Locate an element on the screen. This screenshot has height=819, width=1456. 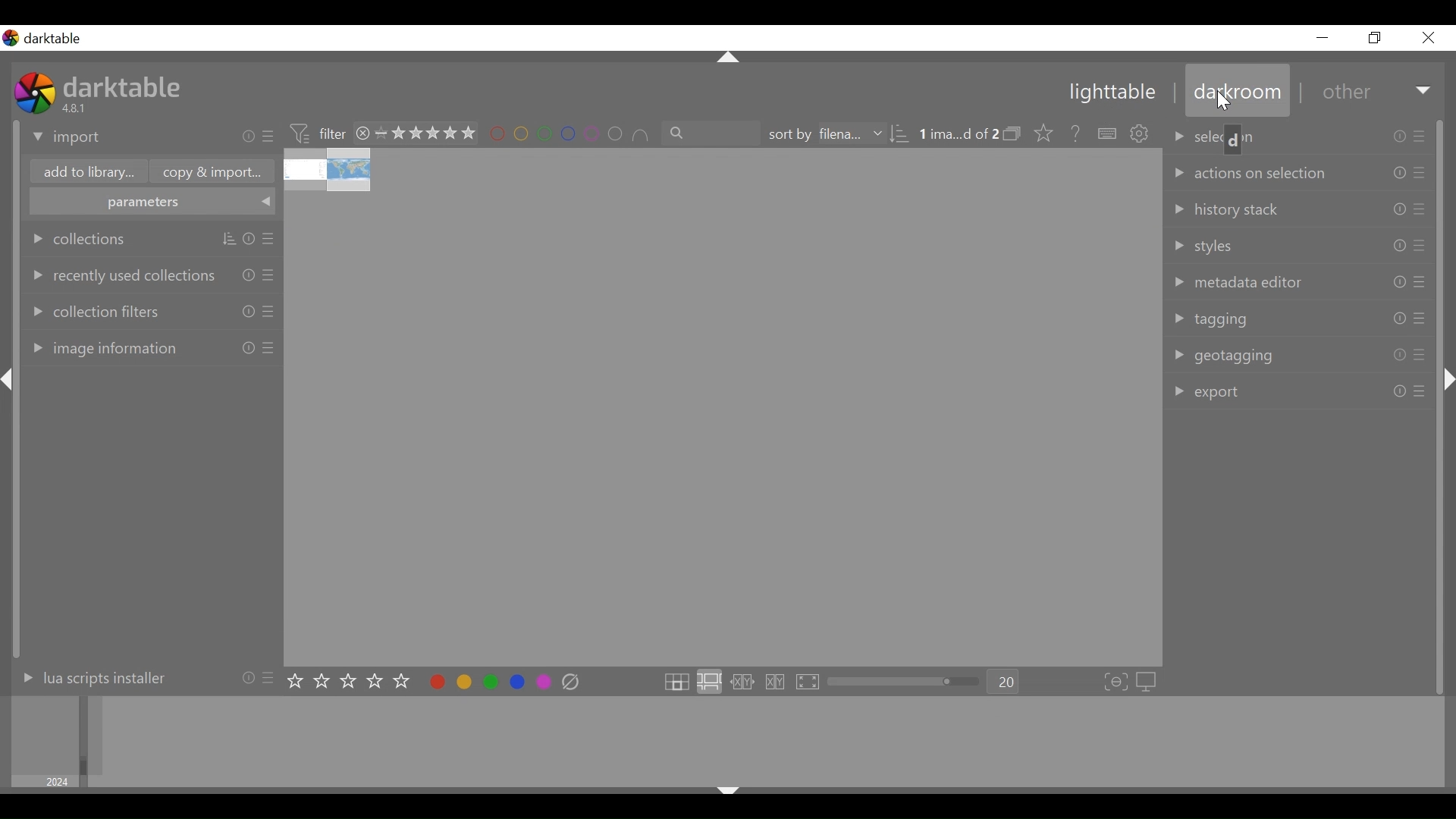
show global preferences is located at coordinates (1141, 134).